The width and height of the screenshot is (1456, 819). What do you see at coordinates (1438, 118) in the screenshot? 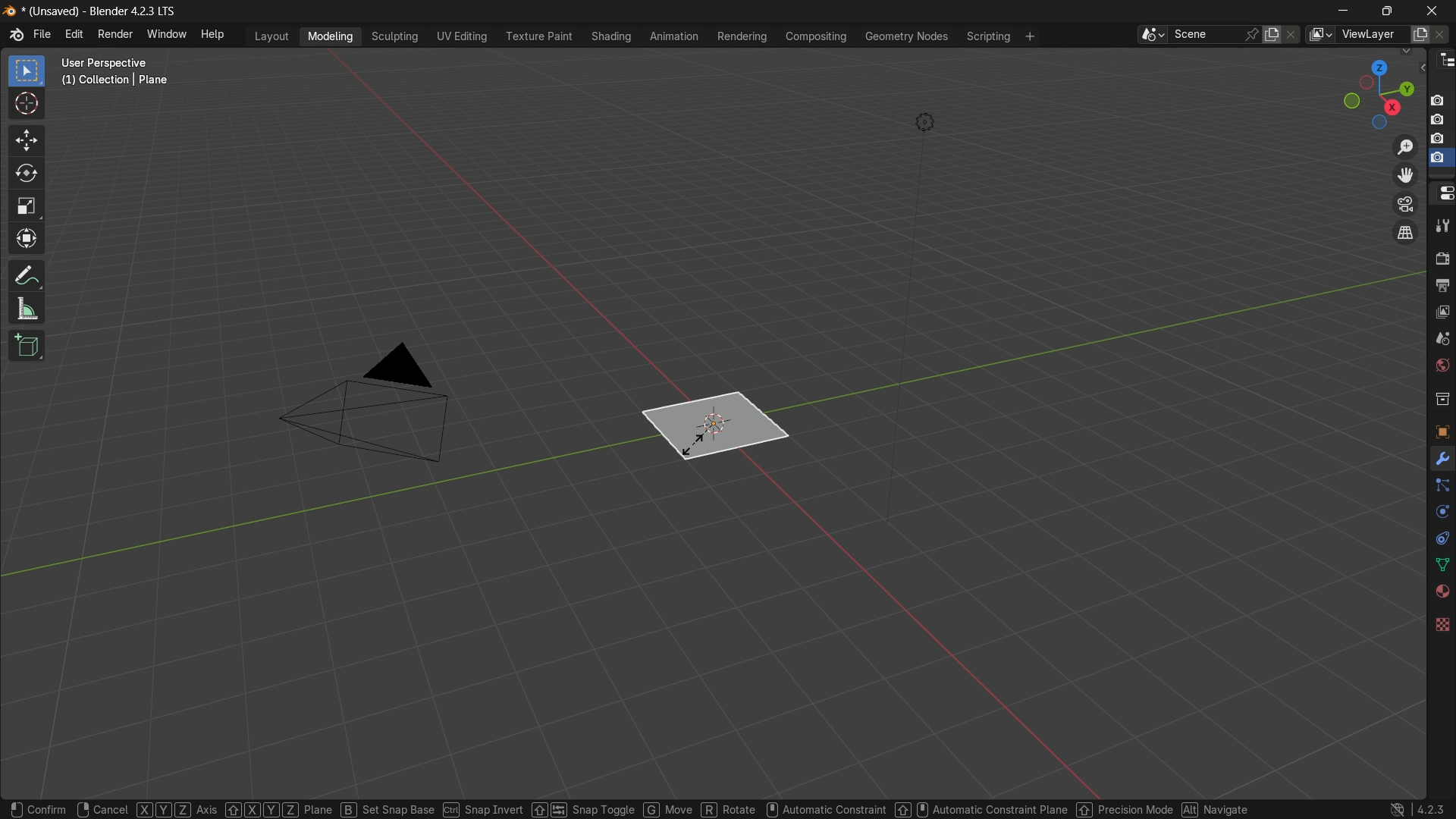
I see `capture` at bounding box center [1438, 118].